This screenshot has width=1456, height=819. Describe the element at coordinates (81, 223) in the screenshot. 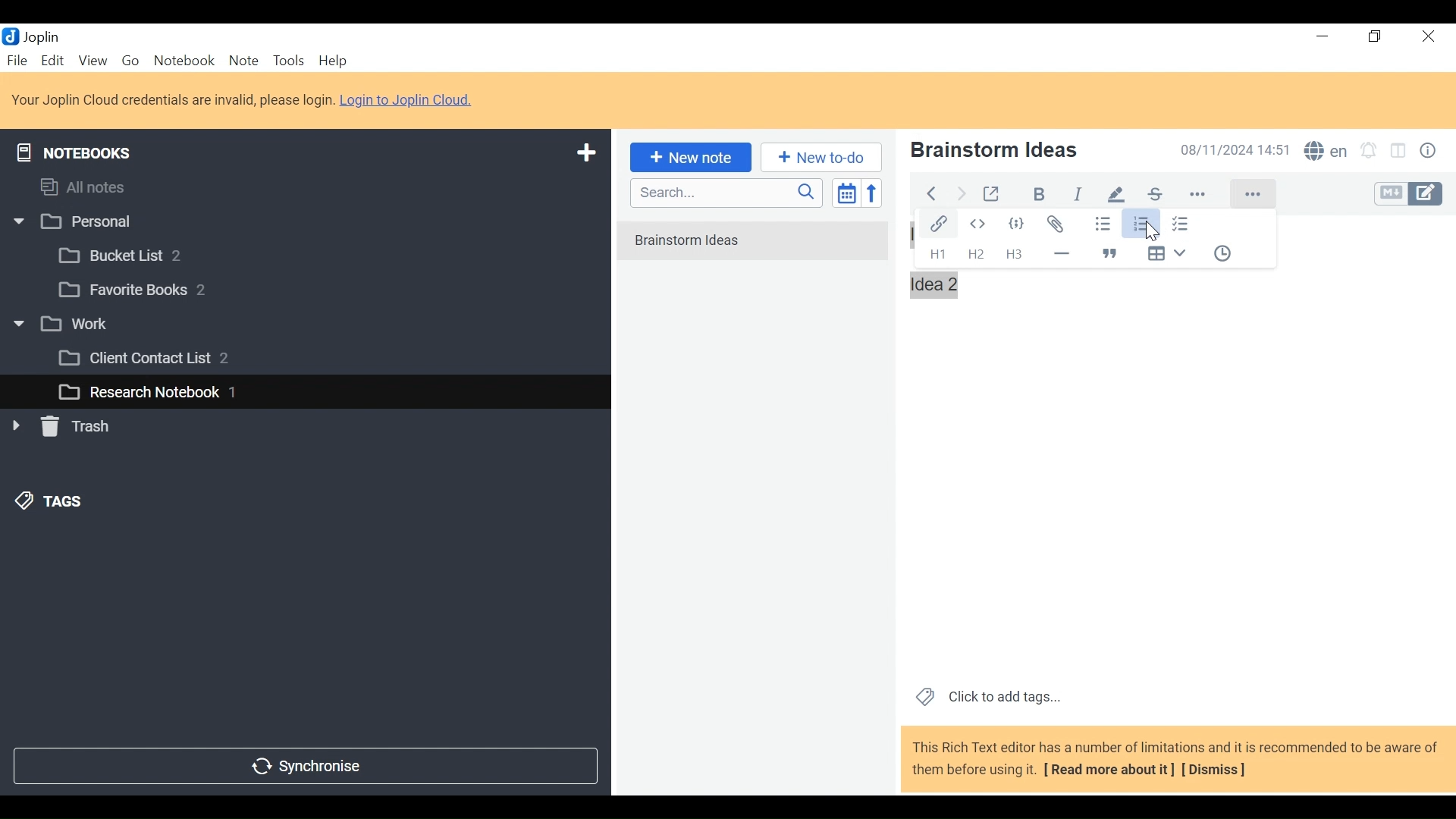

I see `w |] Personal` at that location.